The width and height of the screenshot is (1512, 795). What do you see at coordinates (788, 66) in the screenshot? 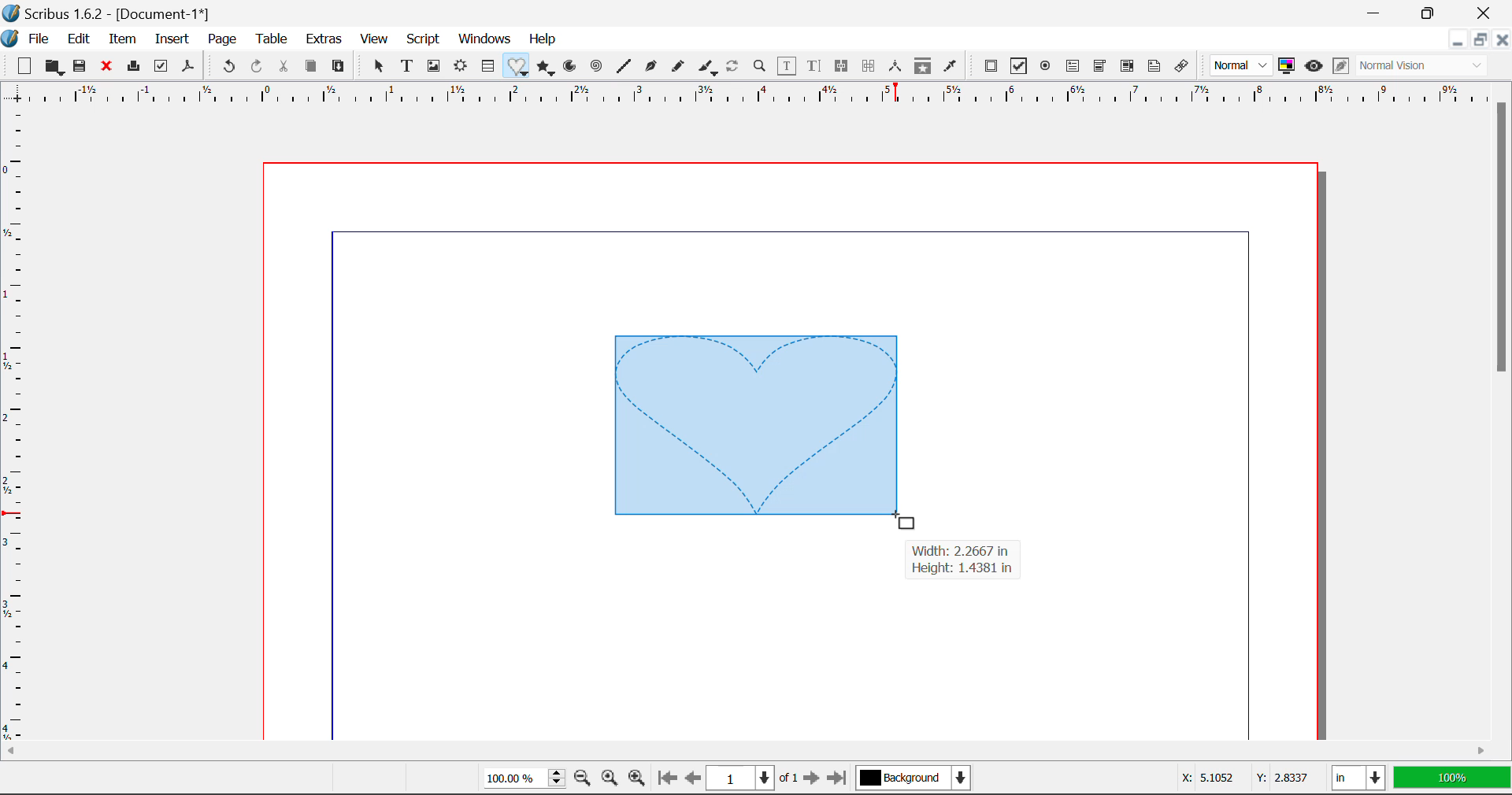
I see `Edit Contents in Frame` at bounding box center [788, 66].